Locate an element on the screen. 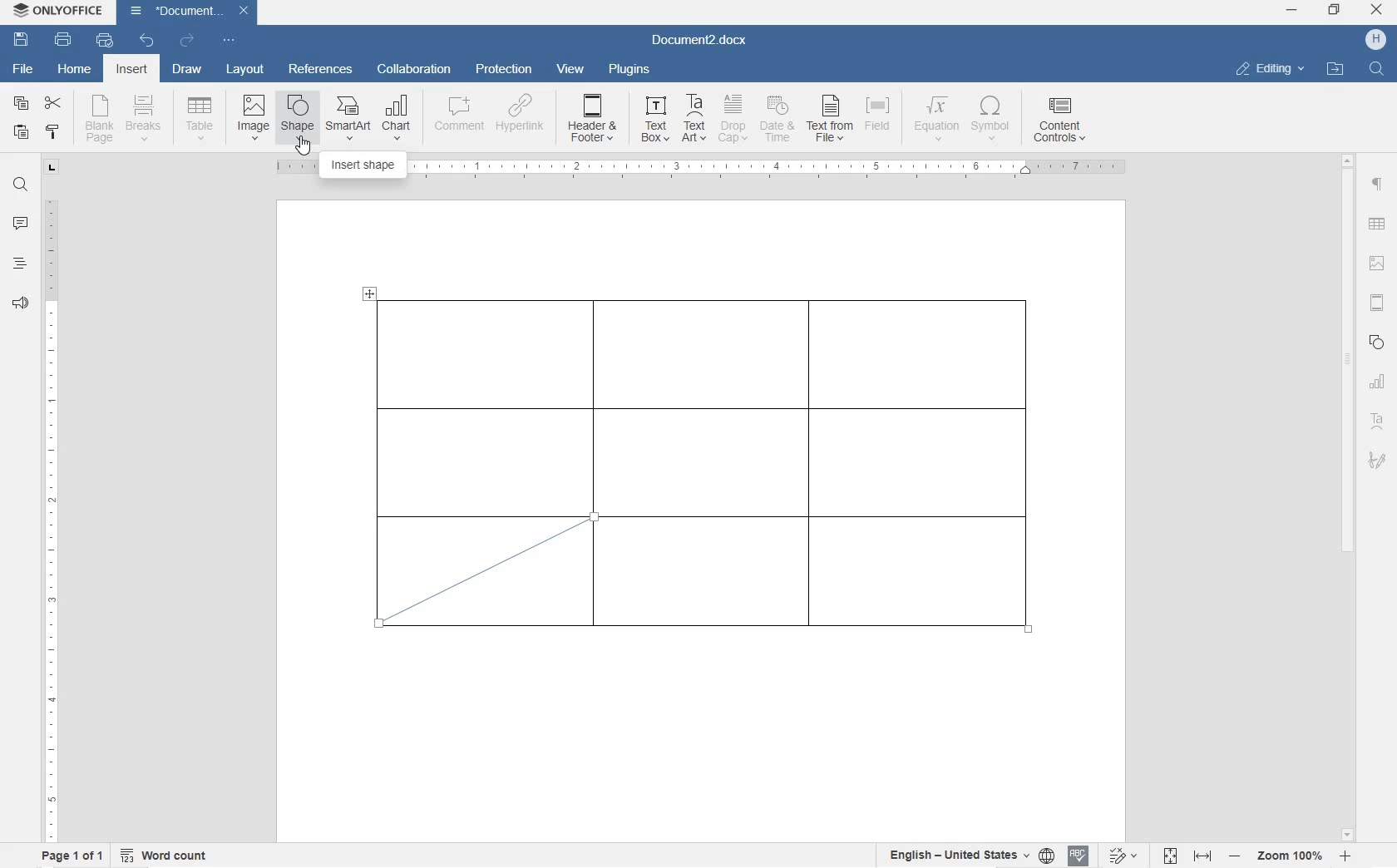 The height and width of the screenshot is (868, 1397). zoom in or out is located at coordinates (1291, 856).